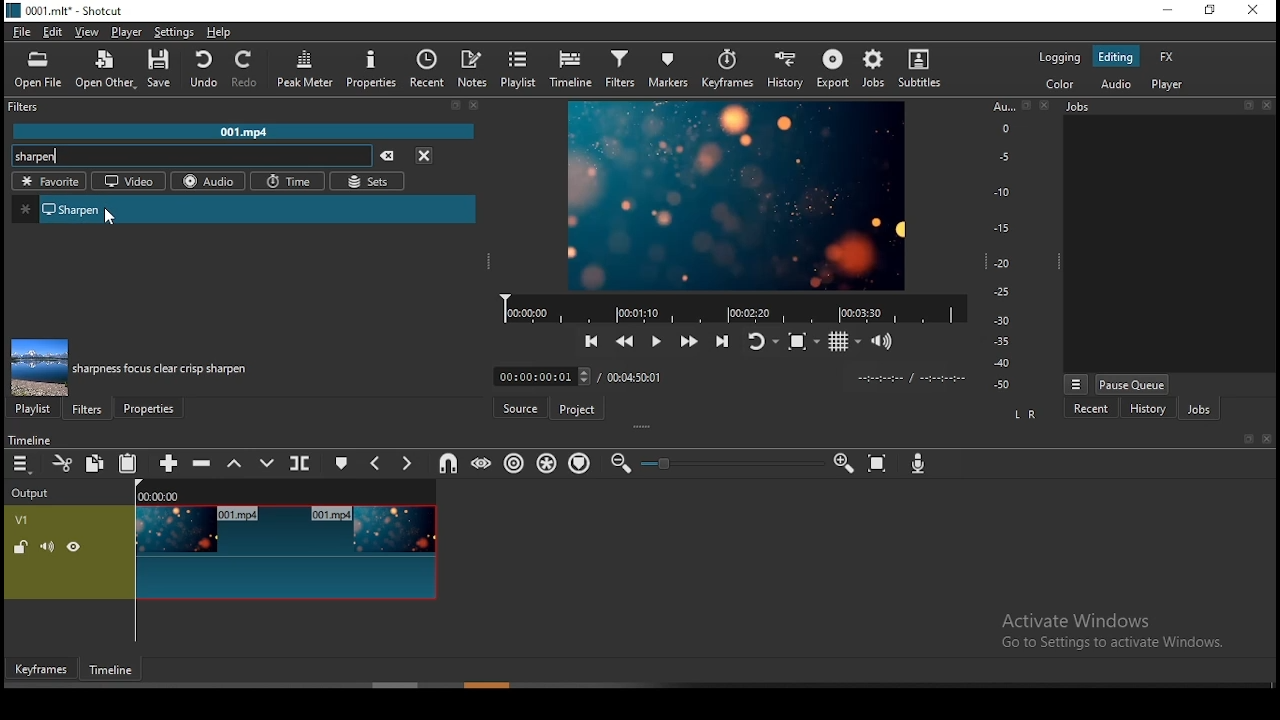  Describe the element at coordinates (237, 465) in the screenshot. I see `lift` at that location.